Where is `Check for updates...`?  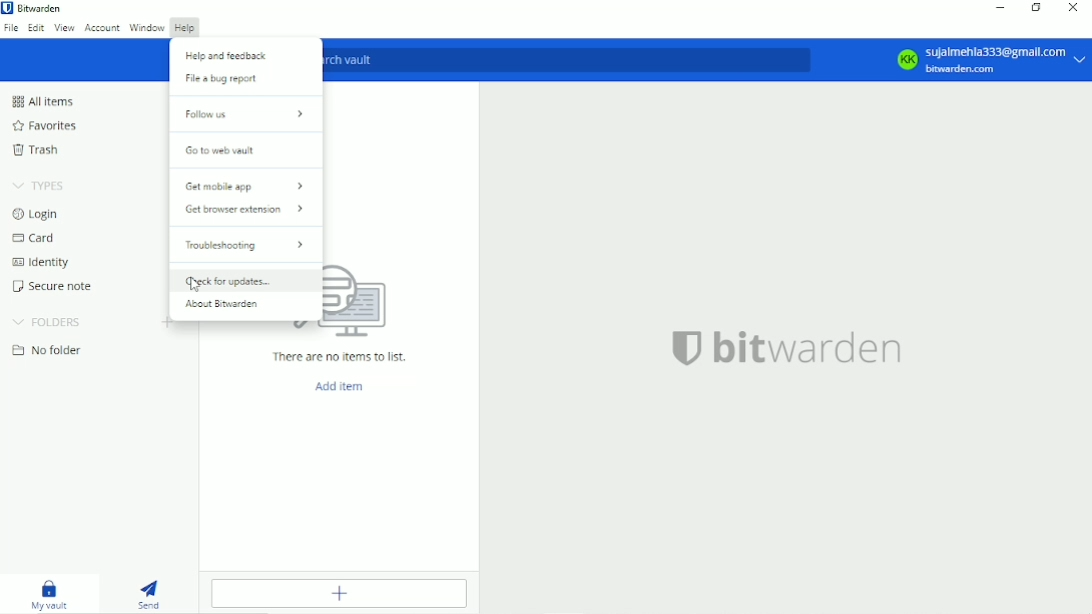
Check for updates... is located at coordinates (230, 283).